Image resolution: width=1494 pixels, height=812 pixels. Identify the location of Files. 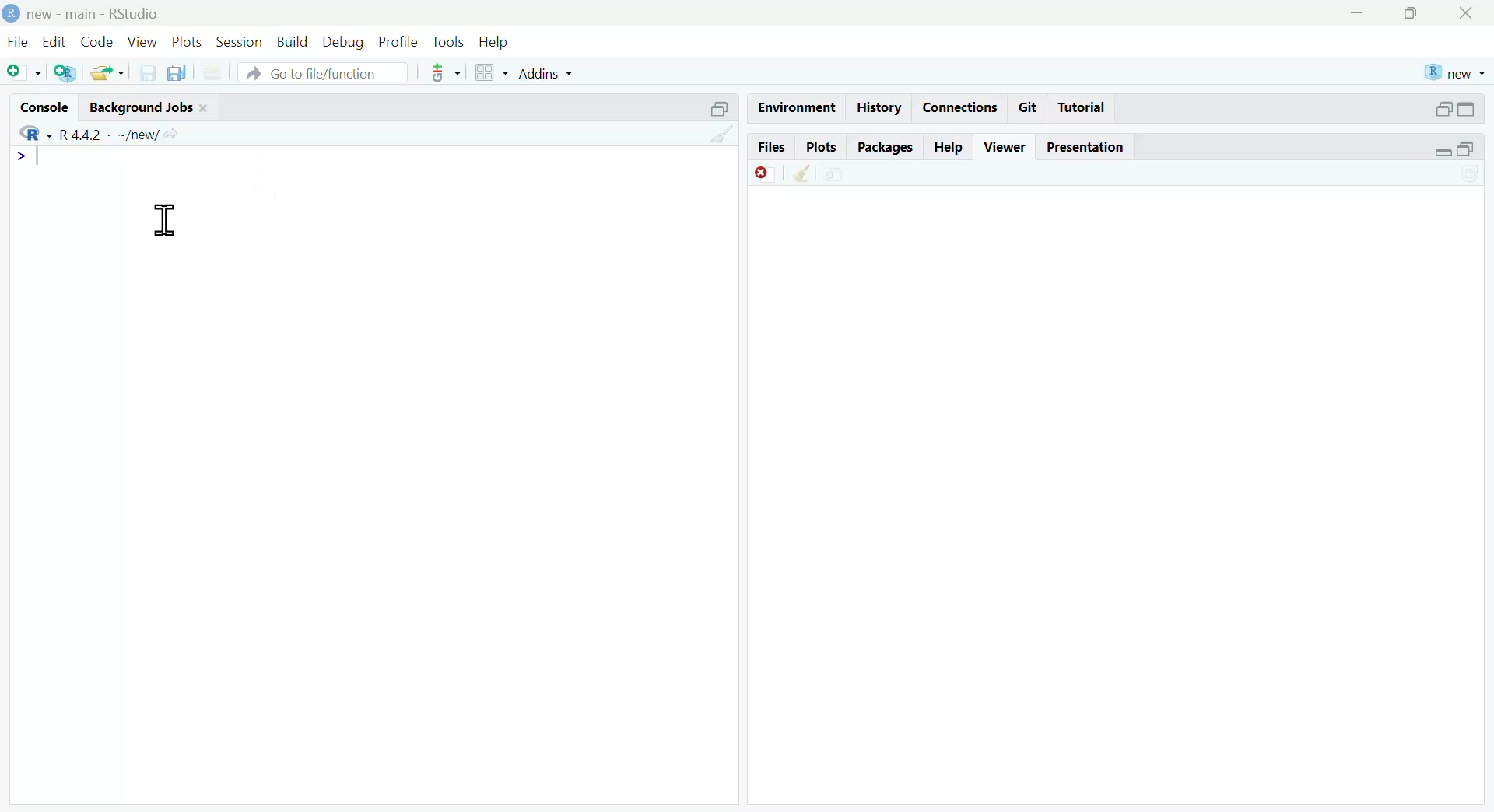
(772, 147).